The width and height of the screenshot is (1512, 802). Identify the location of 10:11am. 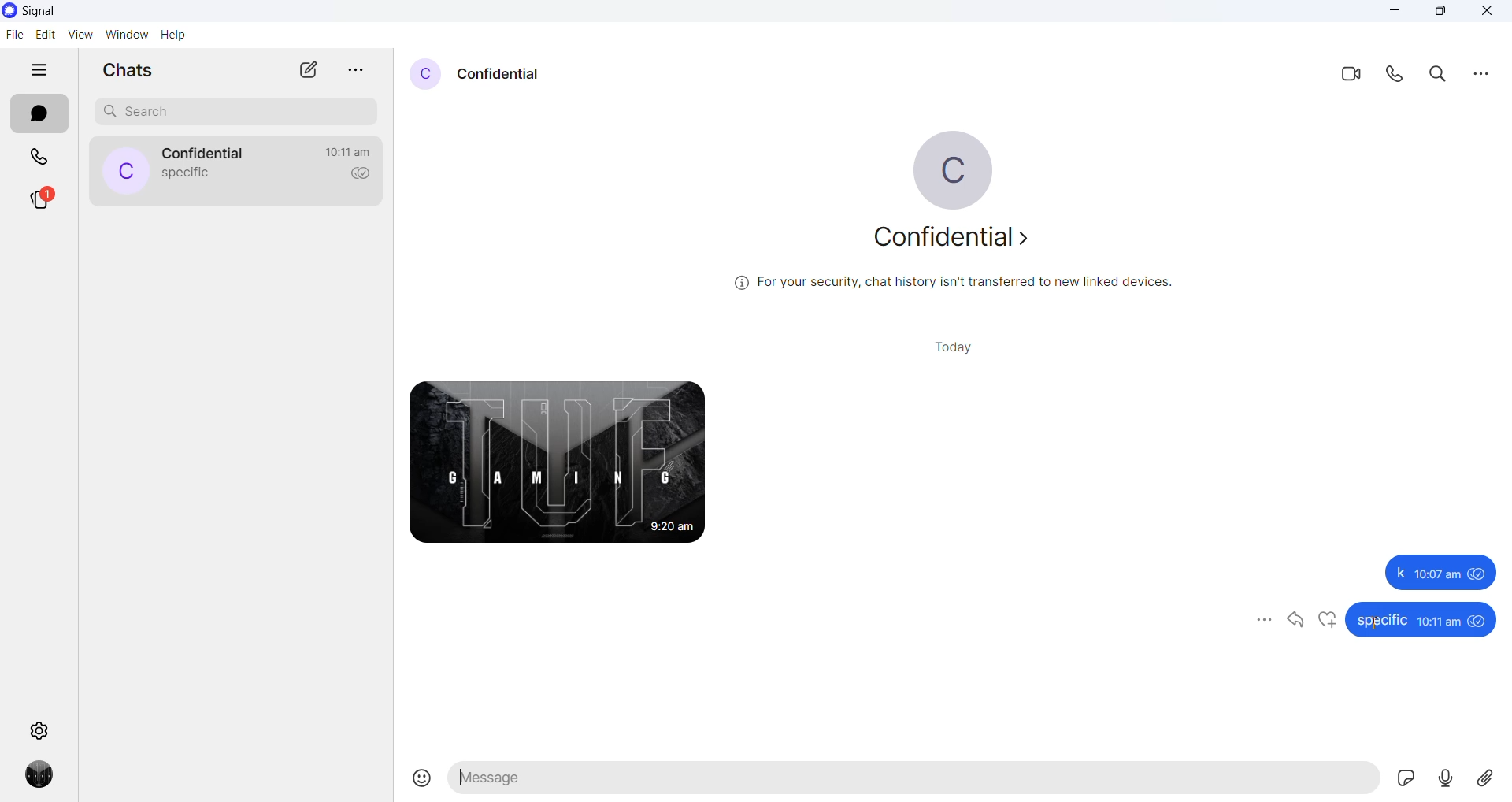
(1440, 622).